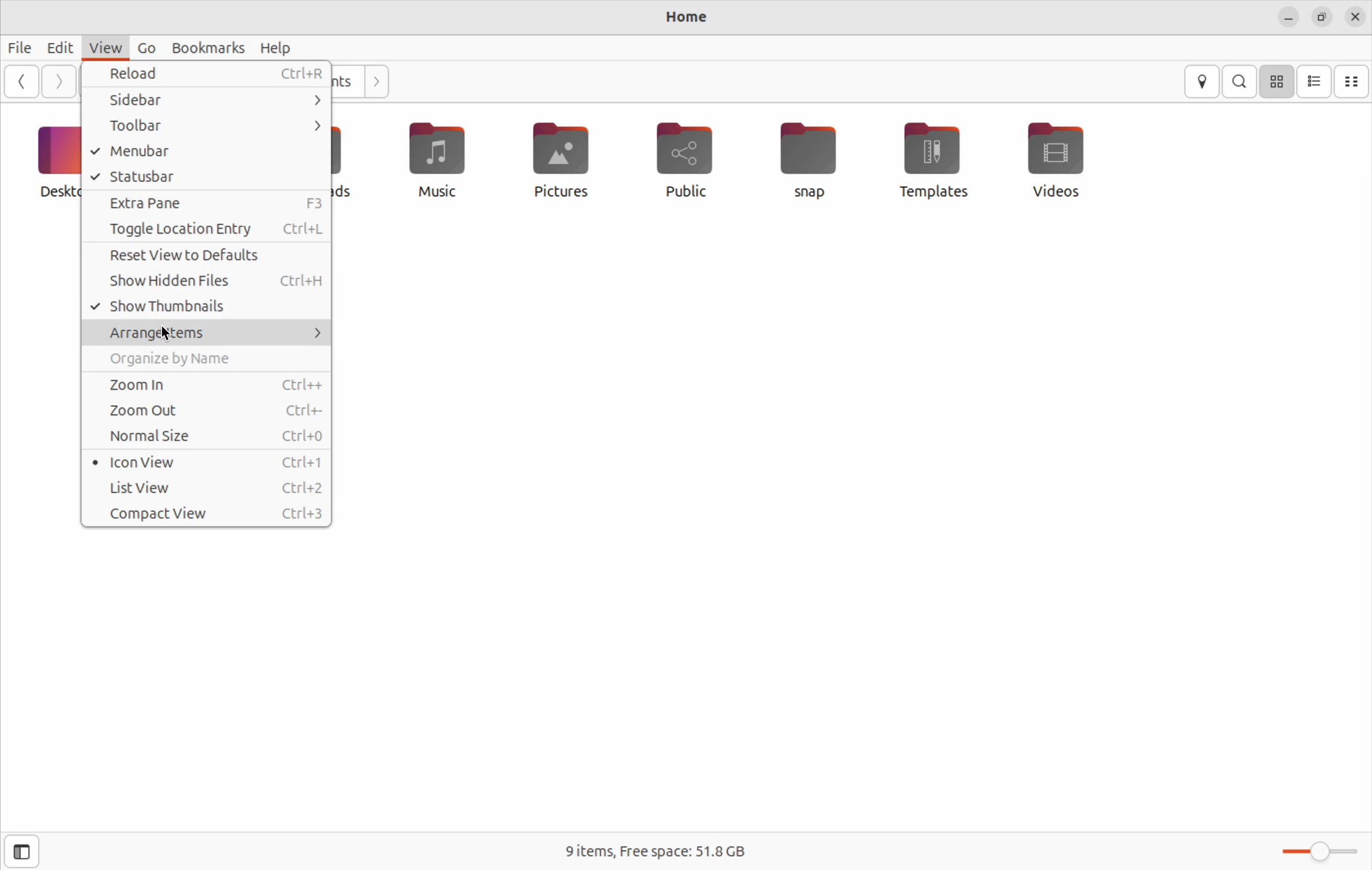 This screenshot has width=1372, height=870. Describe the element at coordinates (23, 81) in the screenshot. I see `Go back` at that location.